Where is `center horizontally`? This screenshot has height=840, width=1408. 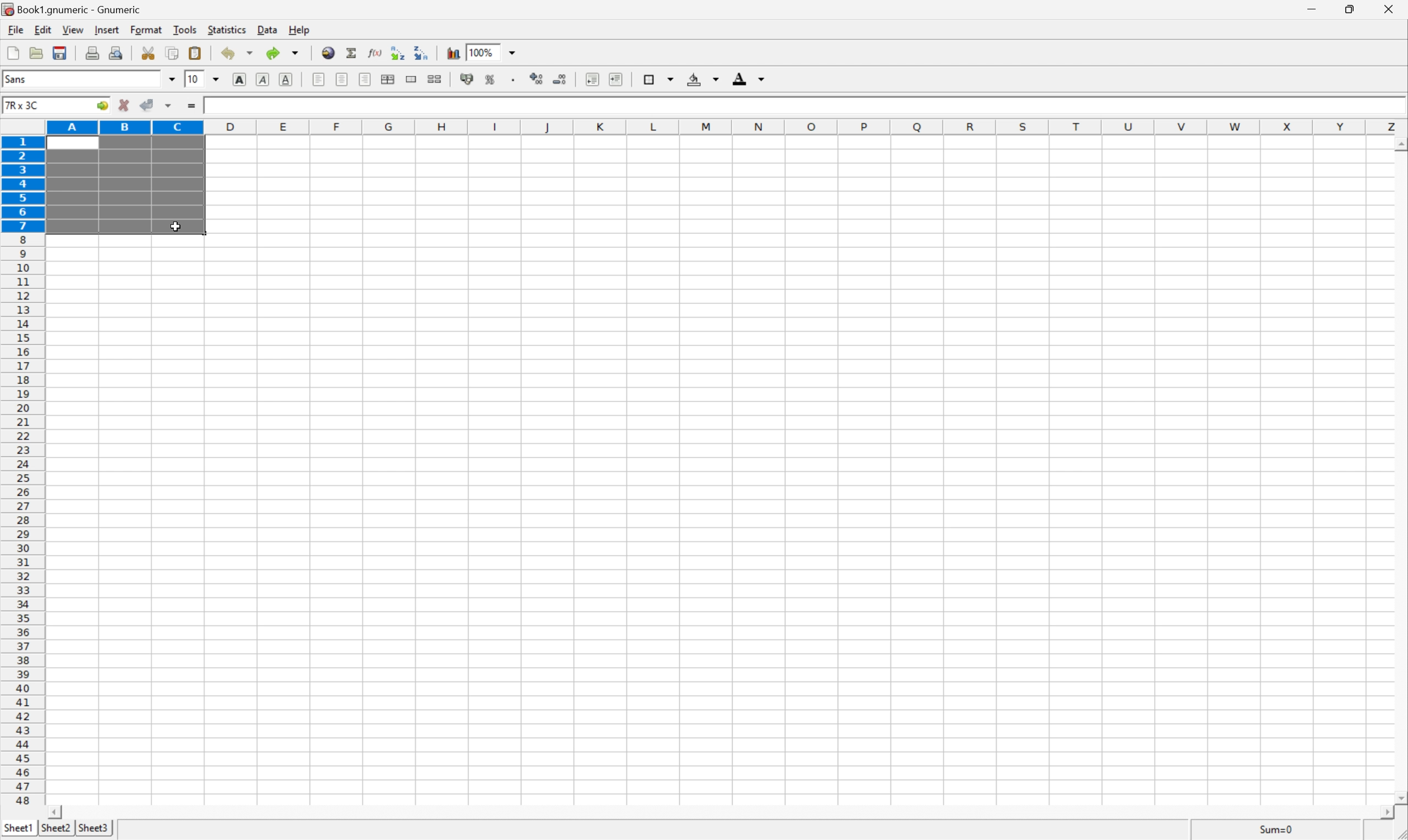
center horizontally is located at coordinates (343, 80).